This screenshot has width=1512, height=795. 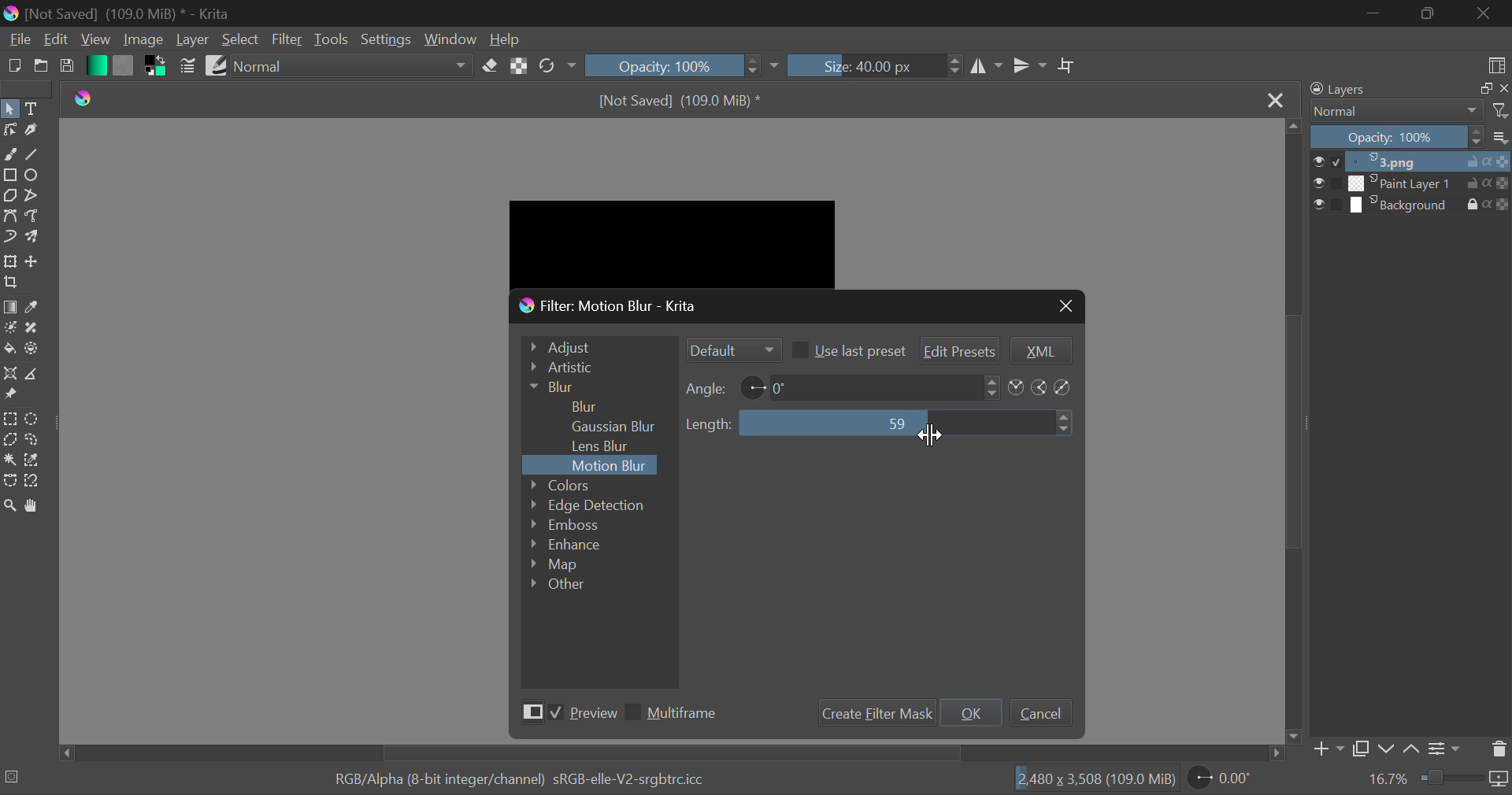 What do you see at coordinates (595, 386) in the screenshot?
I see `Blur` at bounding box center [595, 386].